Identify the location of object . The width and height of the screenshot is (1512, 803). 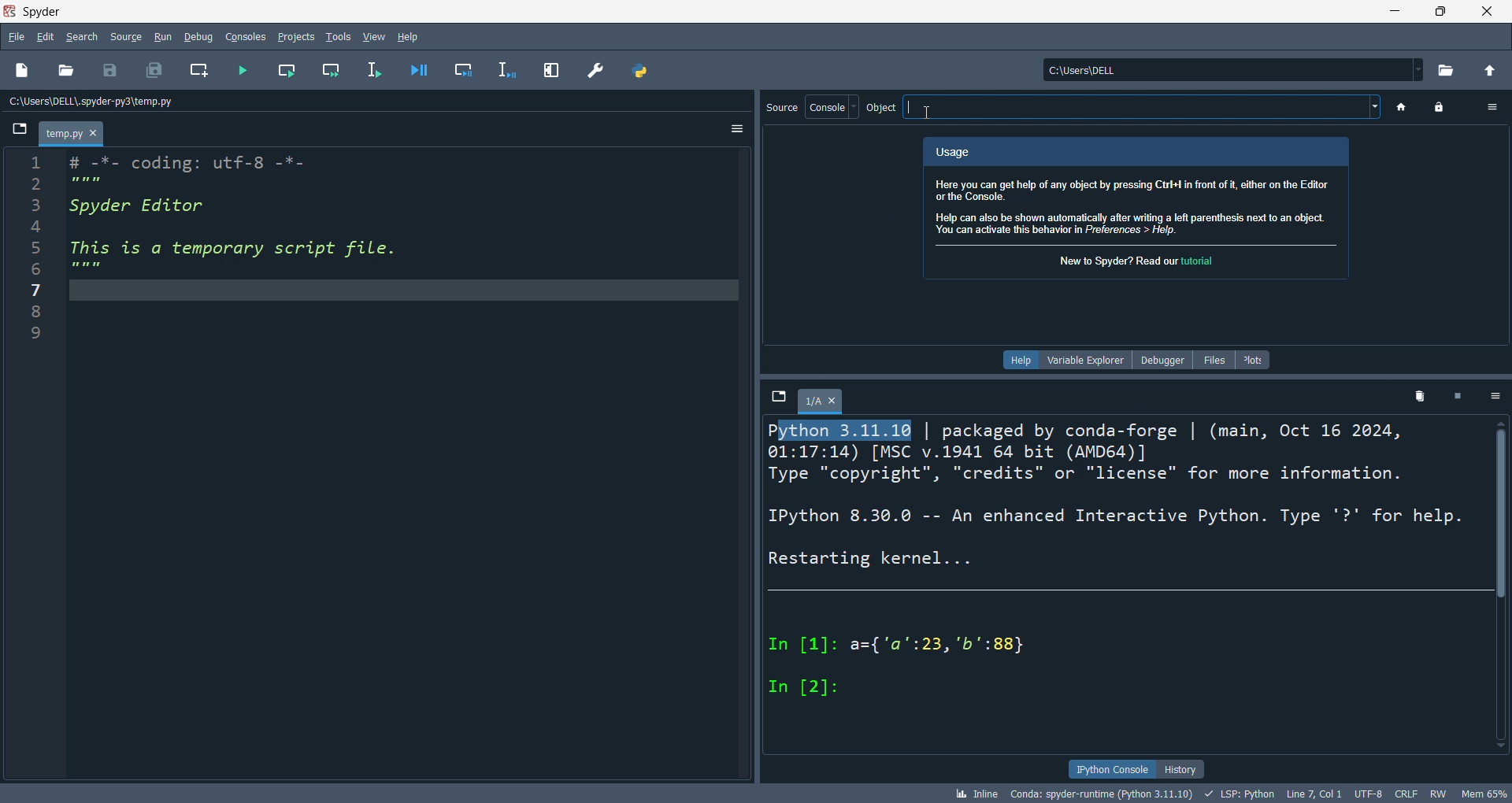
(1126, 107).